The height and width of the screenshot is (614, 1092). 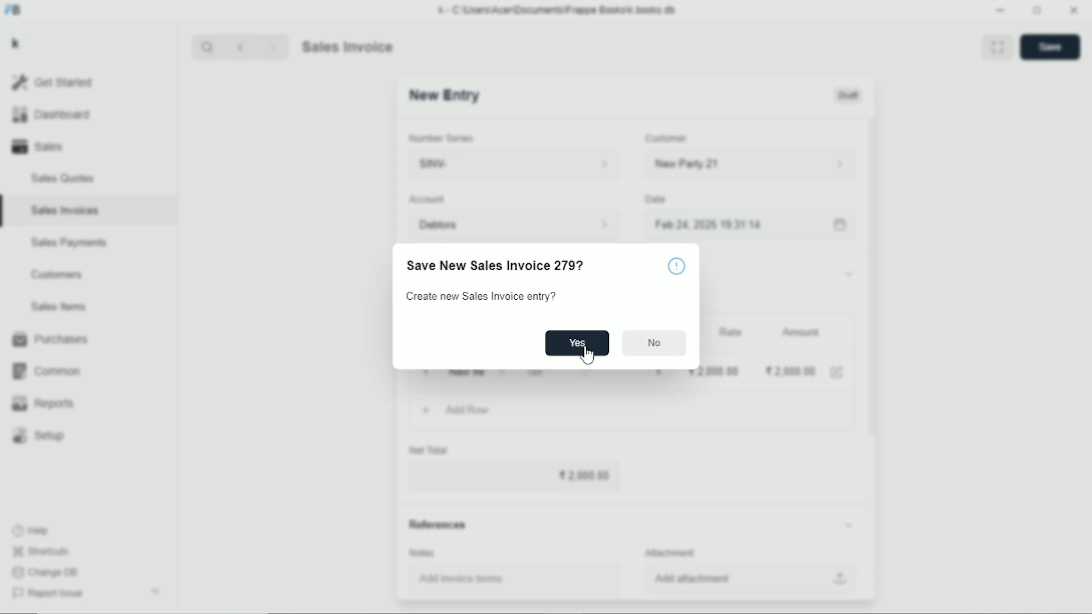 I want to click on Report issue, so click(x=46, y=595).